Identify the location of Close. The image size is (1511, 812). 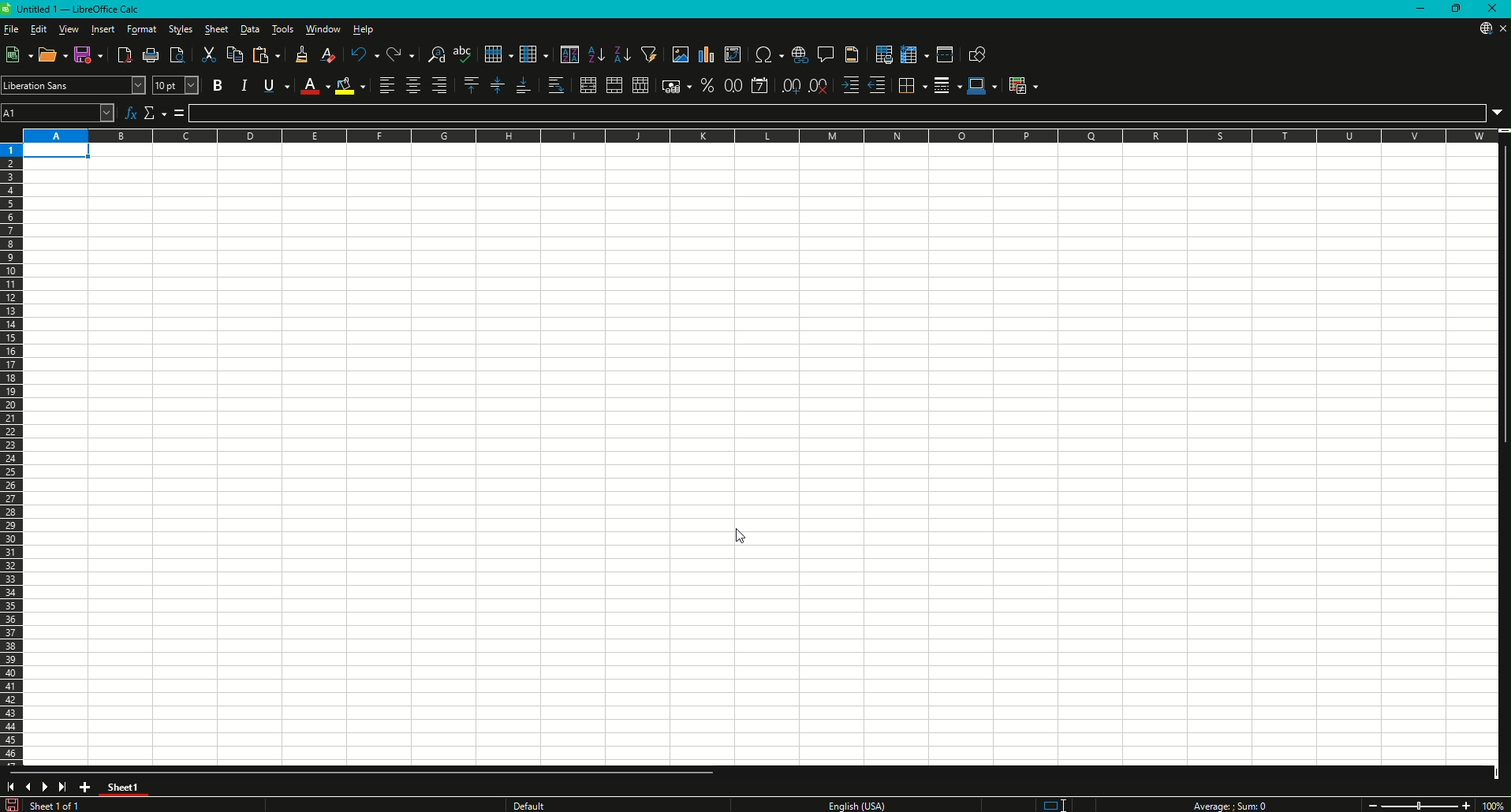
(1492, 8).